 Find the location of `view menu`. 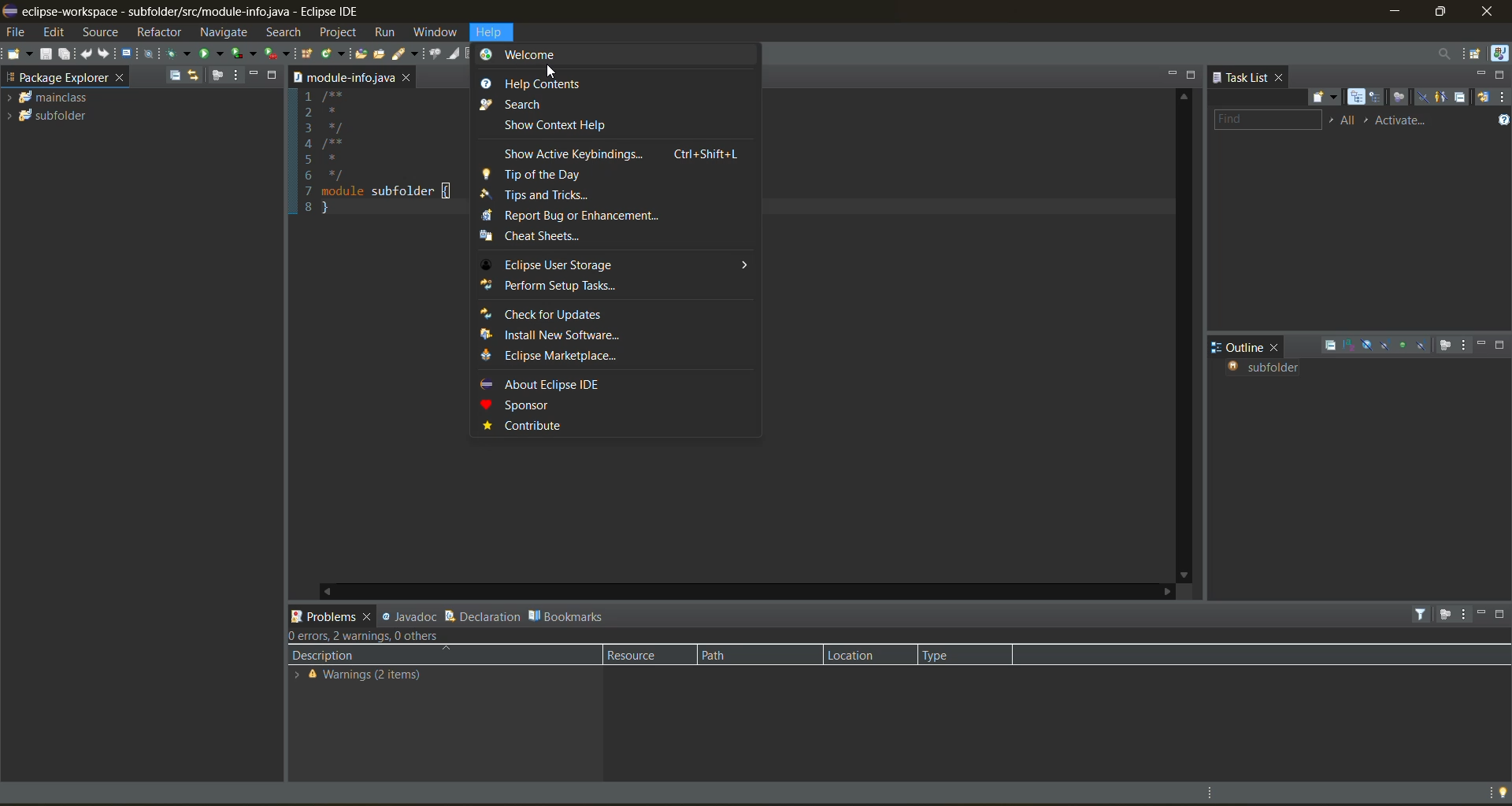

view menu is located at coordinates (236, 76).